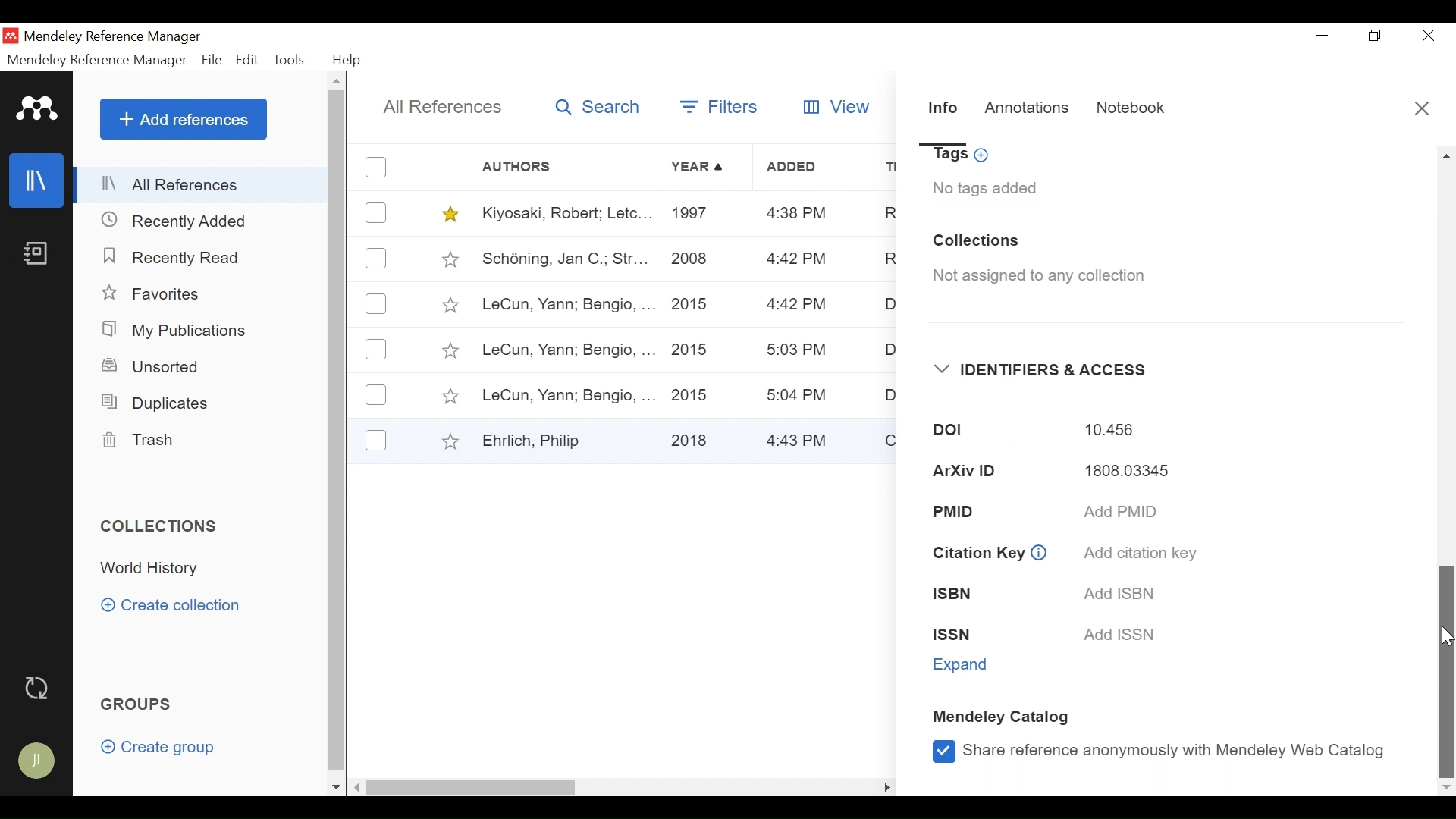 The height and width of the screenshot is (819, 1456). Describe the element at coordinates (11, 36) in the screenshot. I see `Mendeley Desktop Icon` at that location.